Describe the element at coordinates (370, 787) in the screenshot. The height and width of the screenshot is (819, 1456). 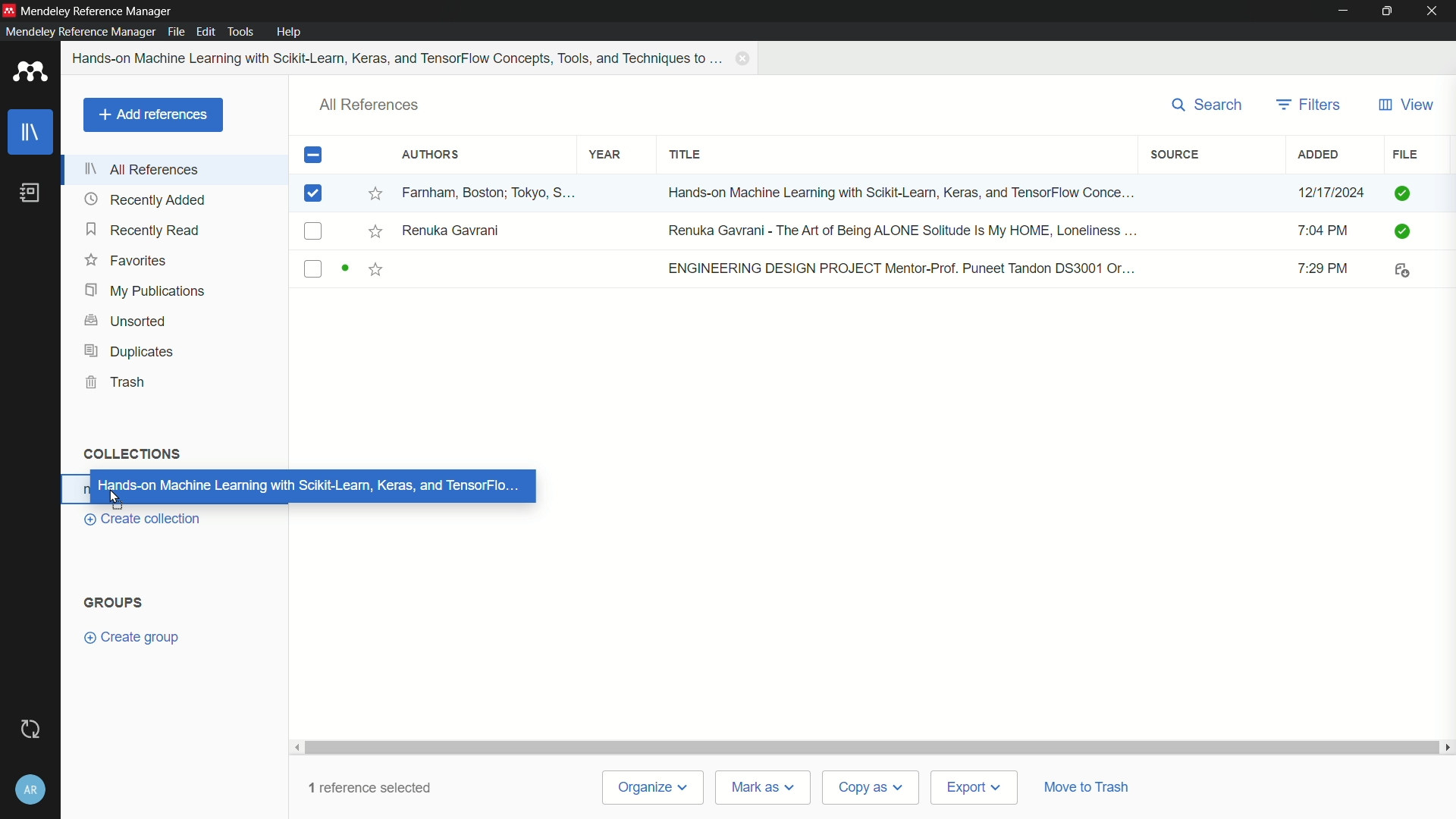
I see `1 reference selected` at that location.